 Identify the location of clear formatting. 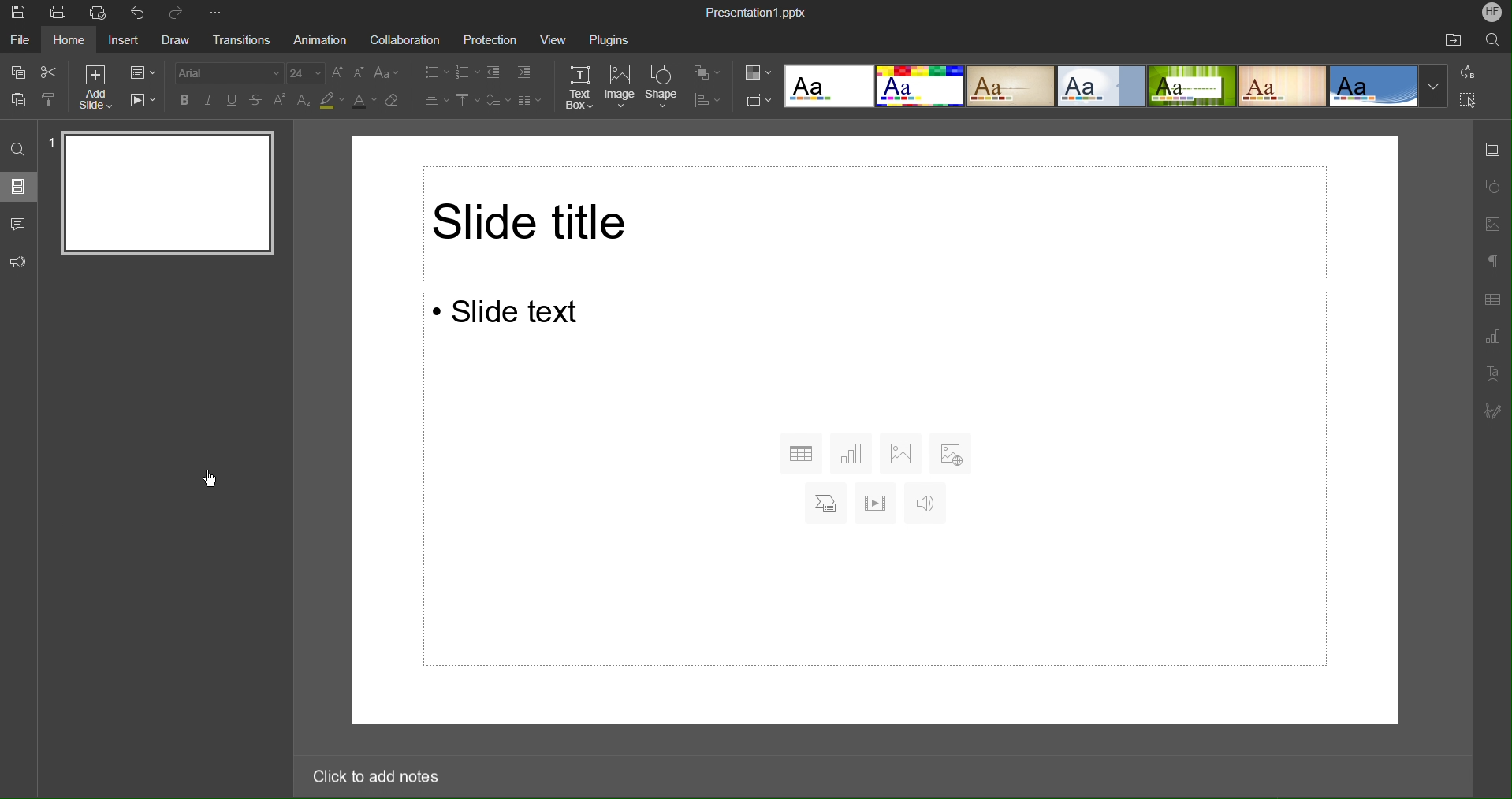
(393, 102).